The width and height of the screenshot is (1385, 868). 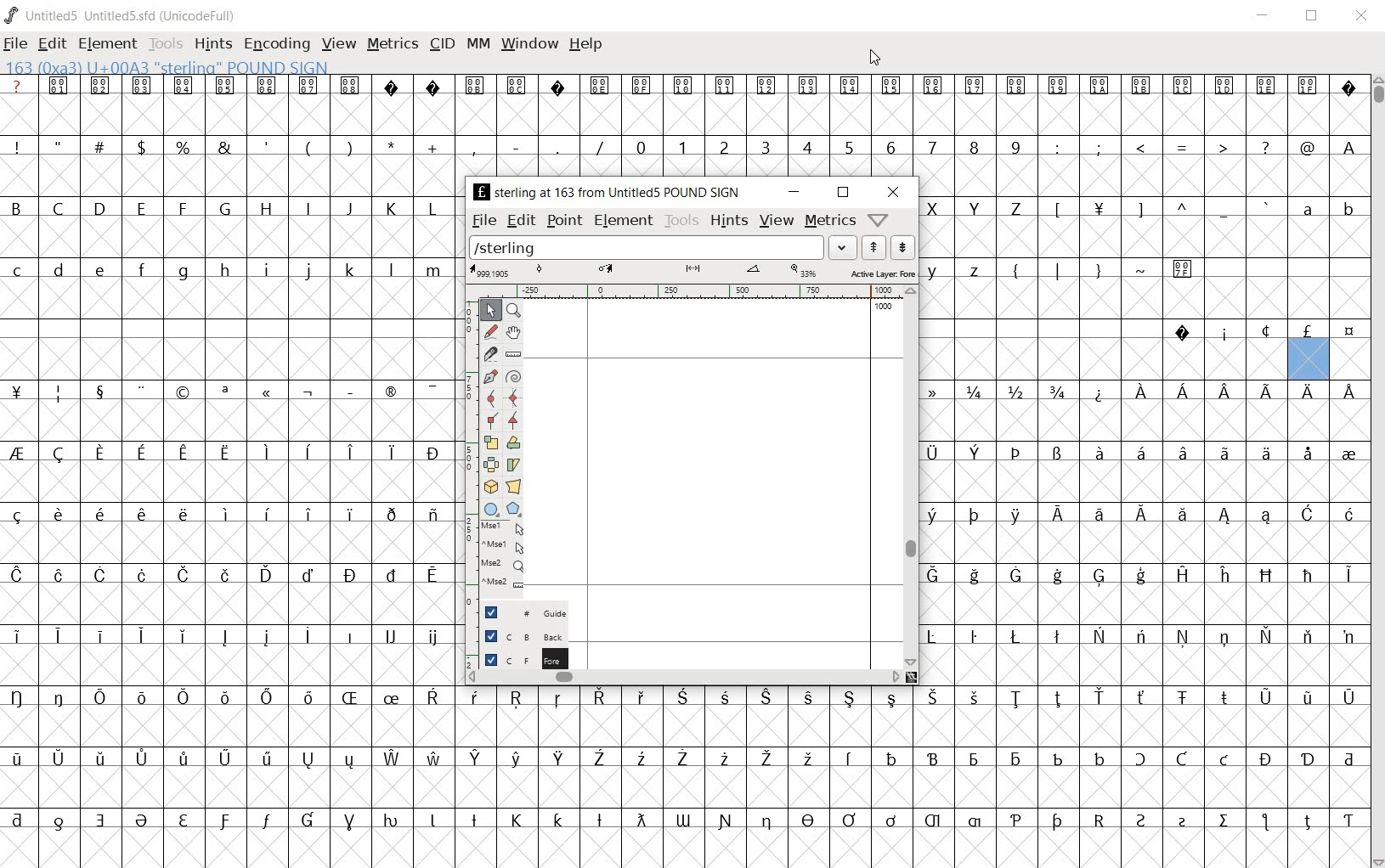 I want to click on &, so click(x=227, y=146).